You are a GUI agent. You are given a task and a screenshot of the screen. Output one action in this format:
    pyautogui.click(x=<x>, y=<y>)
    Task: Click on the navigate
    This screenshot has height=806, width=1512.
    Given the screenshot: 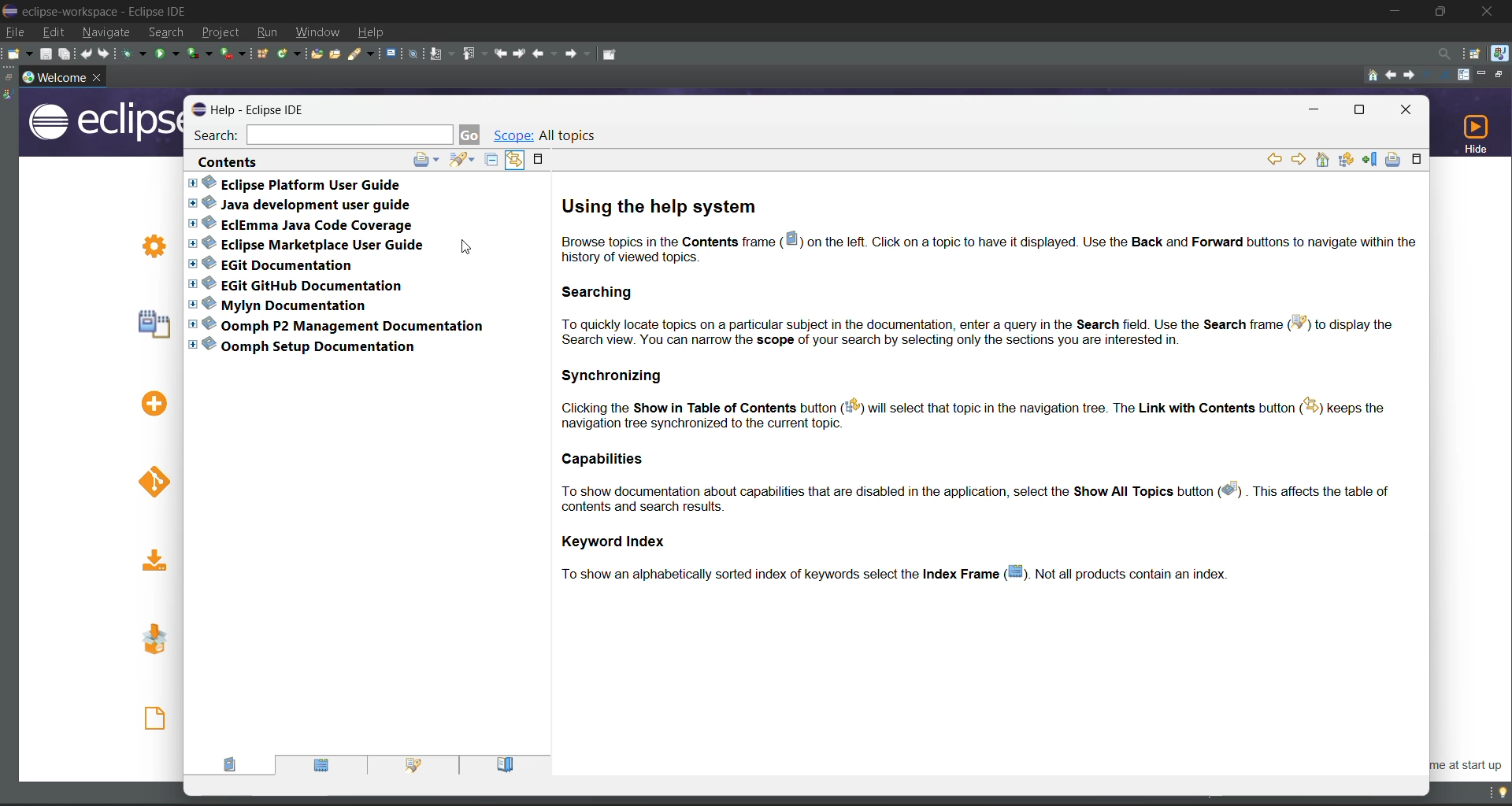 What is the action you would take?
    pyautogui.click(x=109, y=33)
    